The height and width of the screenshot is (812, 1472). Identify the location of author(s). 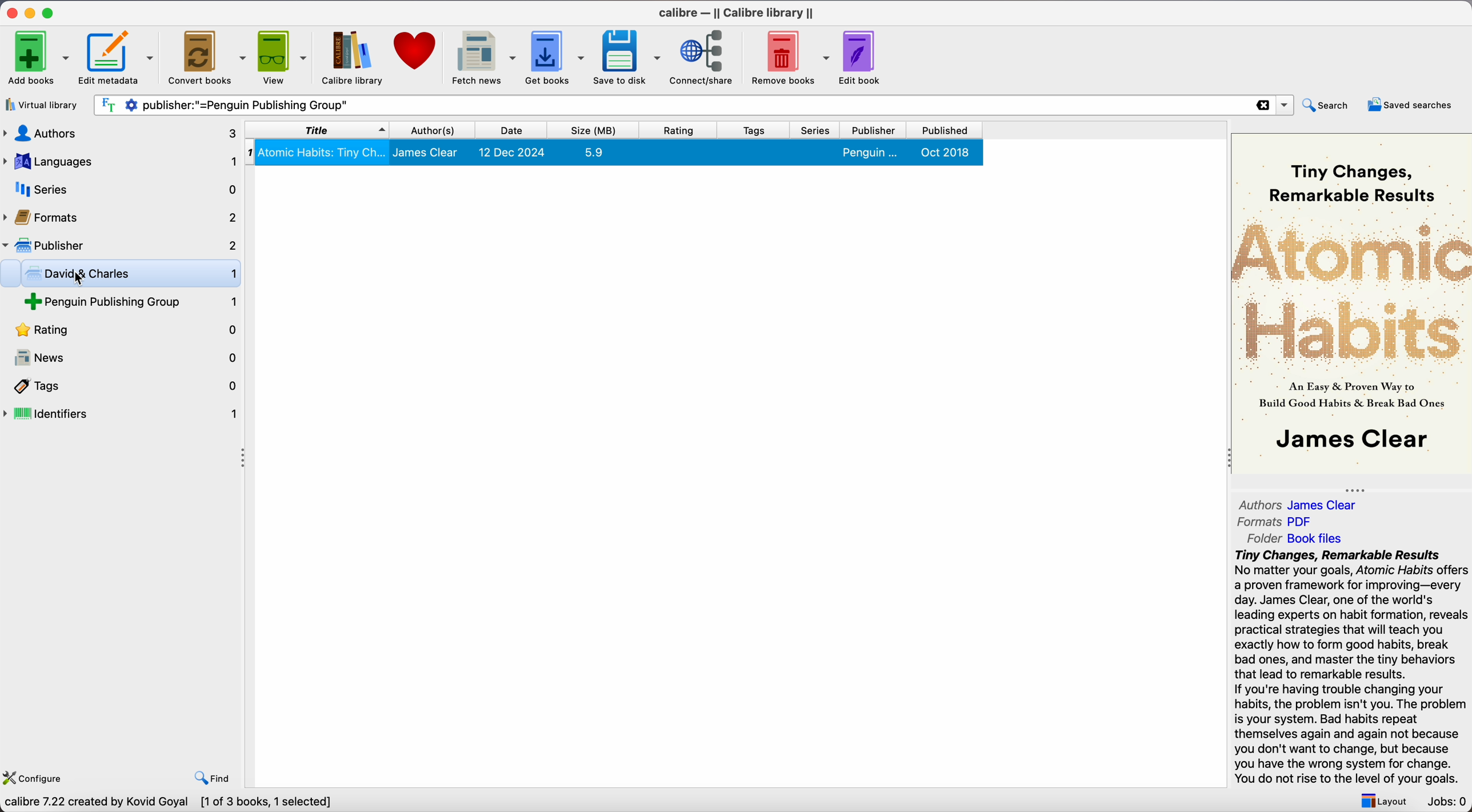
(439, 129).